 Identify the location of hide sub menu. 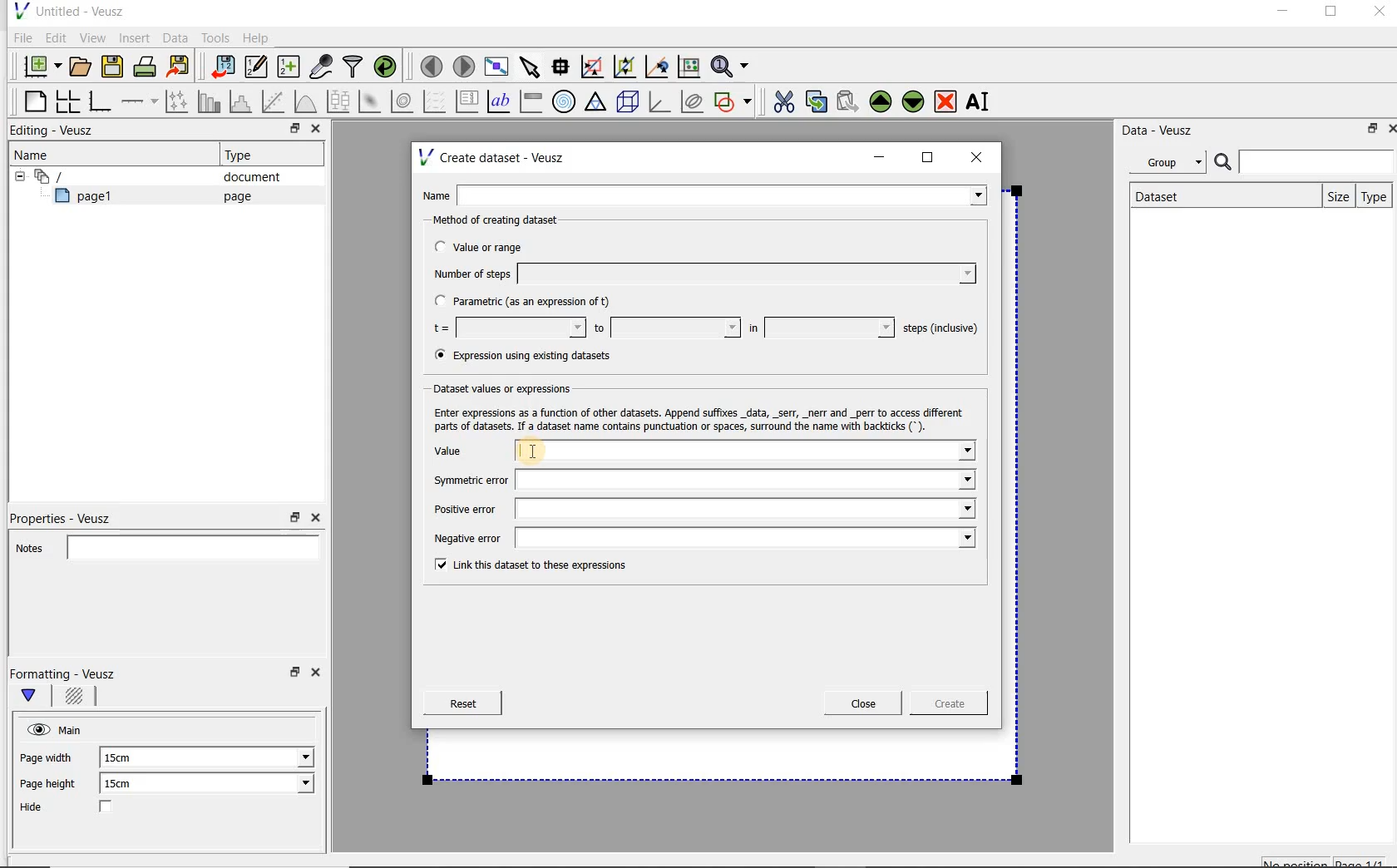
(16, 175).